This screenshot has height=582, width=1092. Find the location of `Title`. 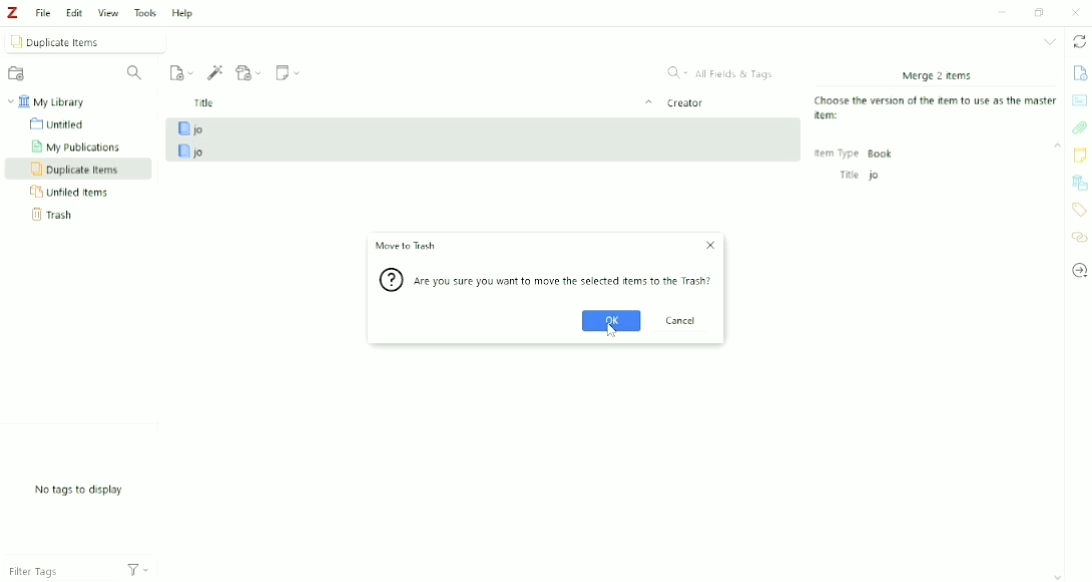

Title is located at coordinates (421, 103).